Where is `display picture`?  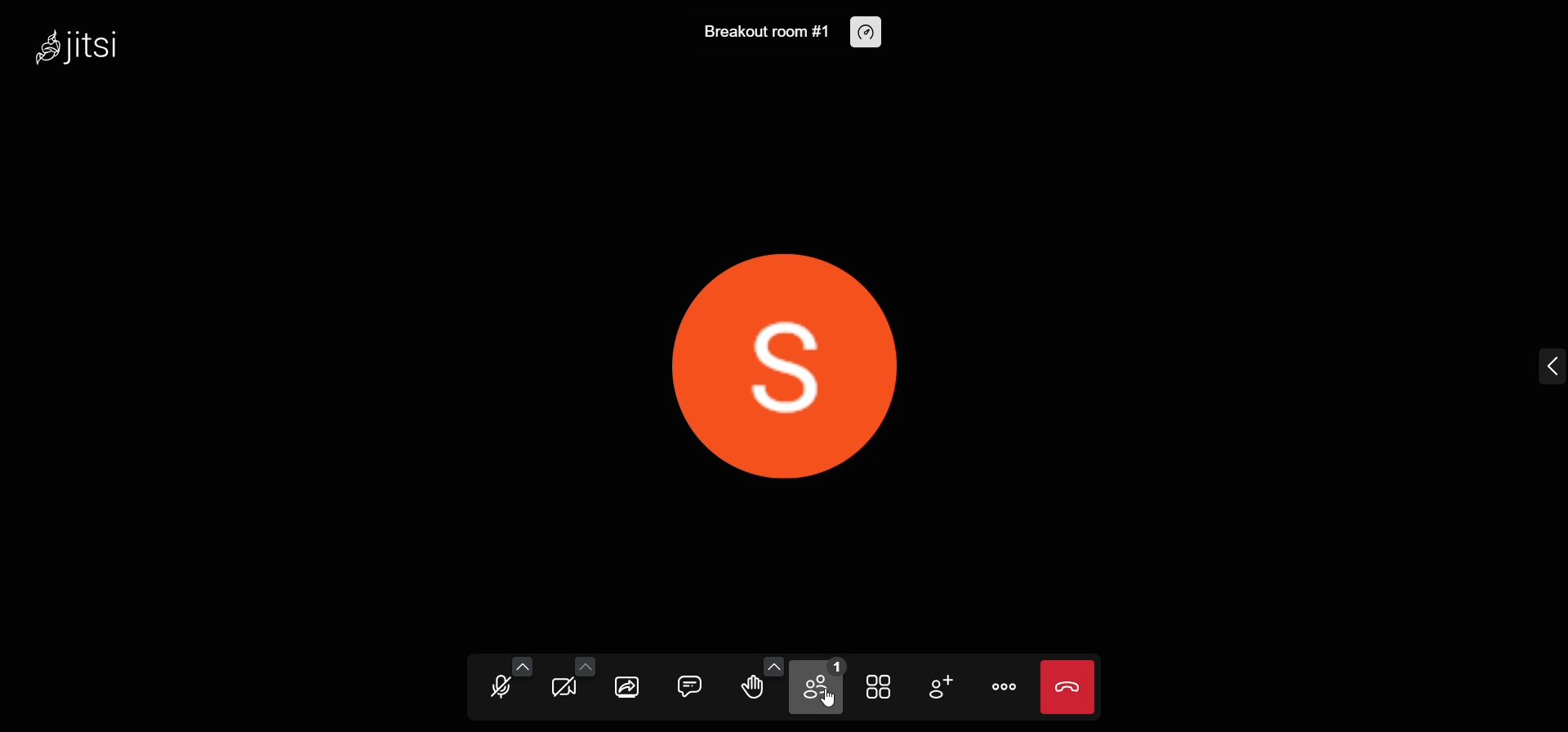
display picture is located at coordinates (785, 363).